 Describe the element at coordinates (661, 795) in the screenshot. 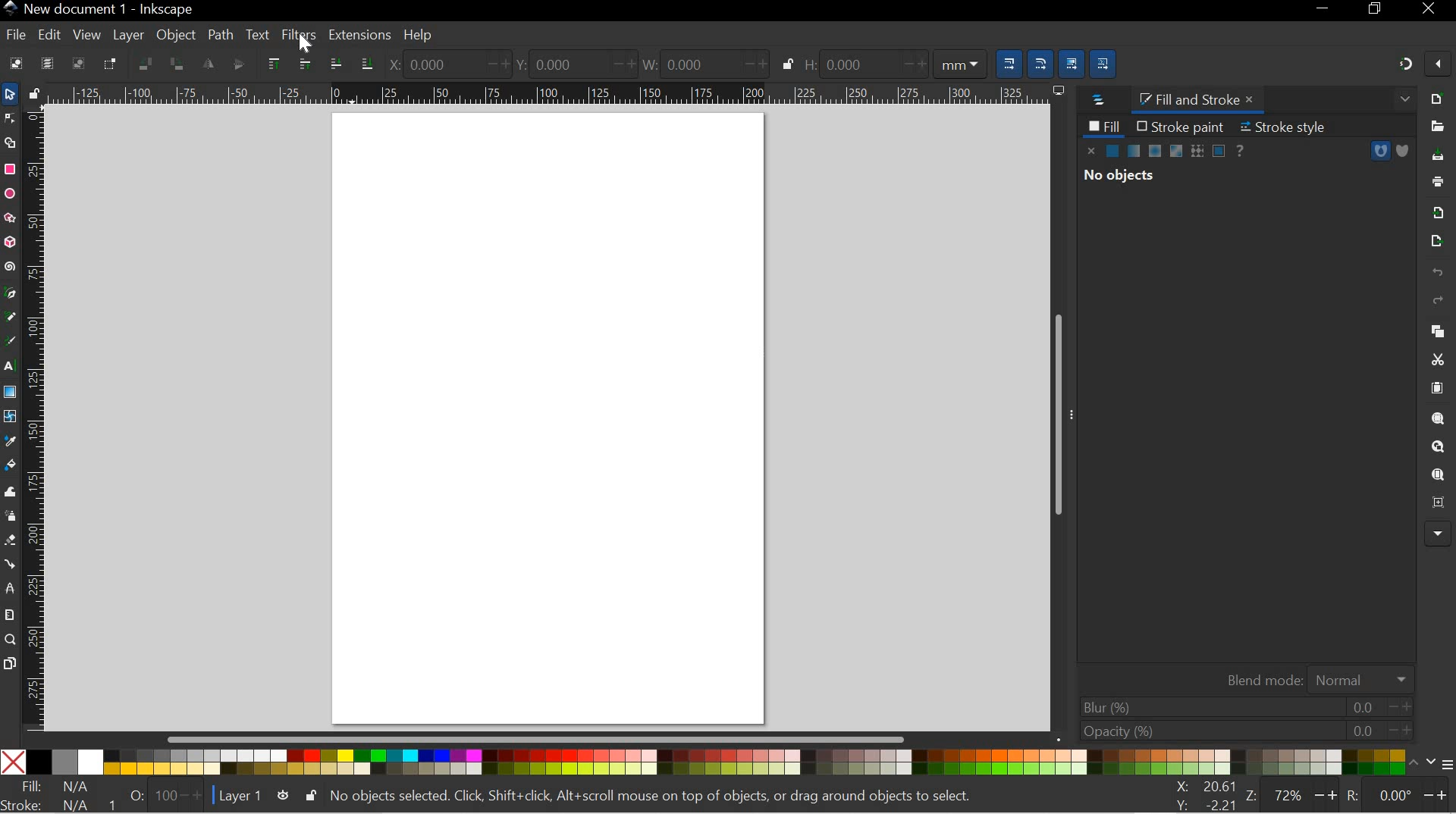

I see `NO OBJECTS` at that location.